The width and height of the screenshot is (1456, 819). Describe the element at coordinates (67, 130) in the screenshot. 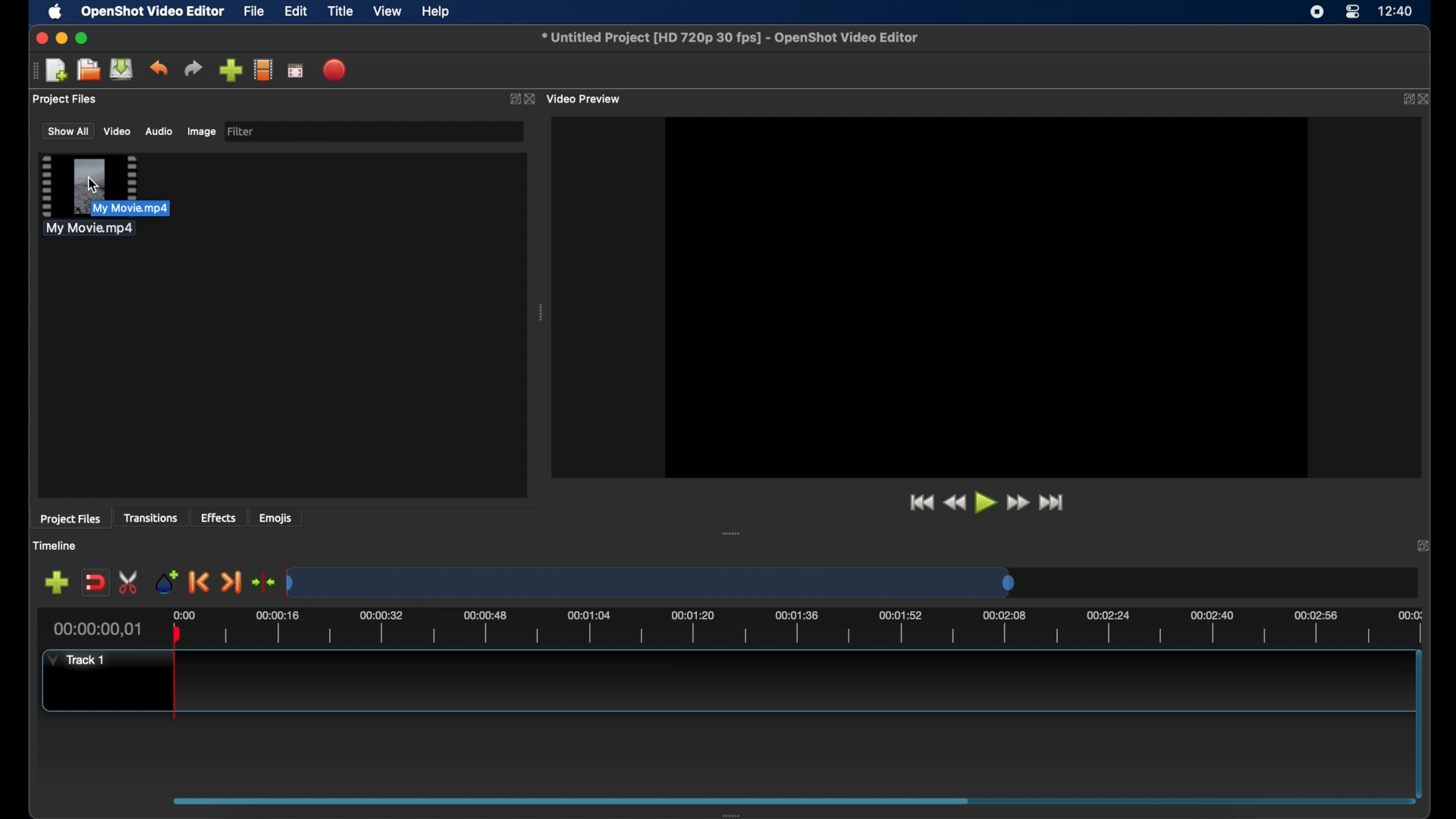

I see `show all` at that location.